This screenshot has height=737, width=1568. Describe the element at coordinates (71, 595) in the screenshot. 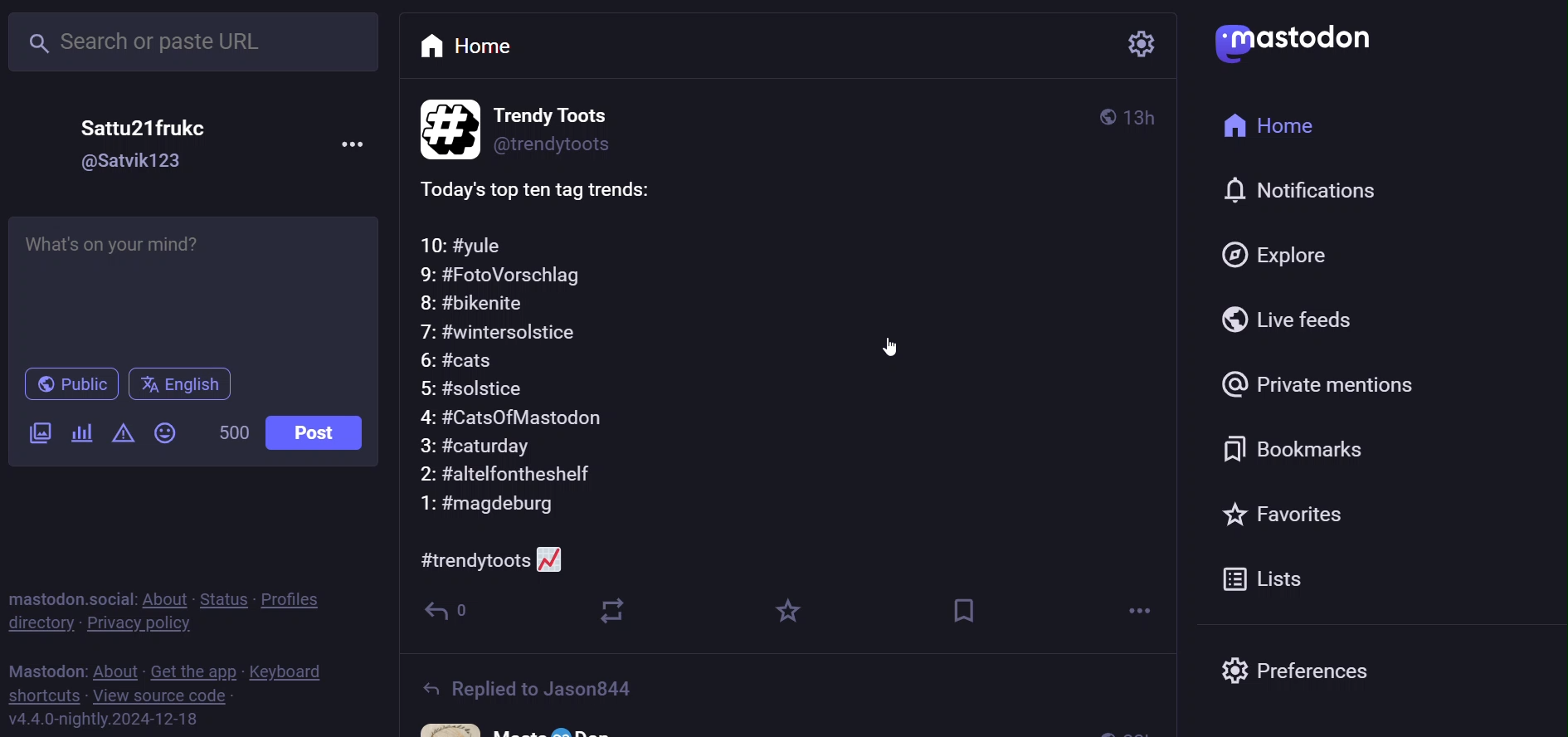

I see `mastodon social` at that location.